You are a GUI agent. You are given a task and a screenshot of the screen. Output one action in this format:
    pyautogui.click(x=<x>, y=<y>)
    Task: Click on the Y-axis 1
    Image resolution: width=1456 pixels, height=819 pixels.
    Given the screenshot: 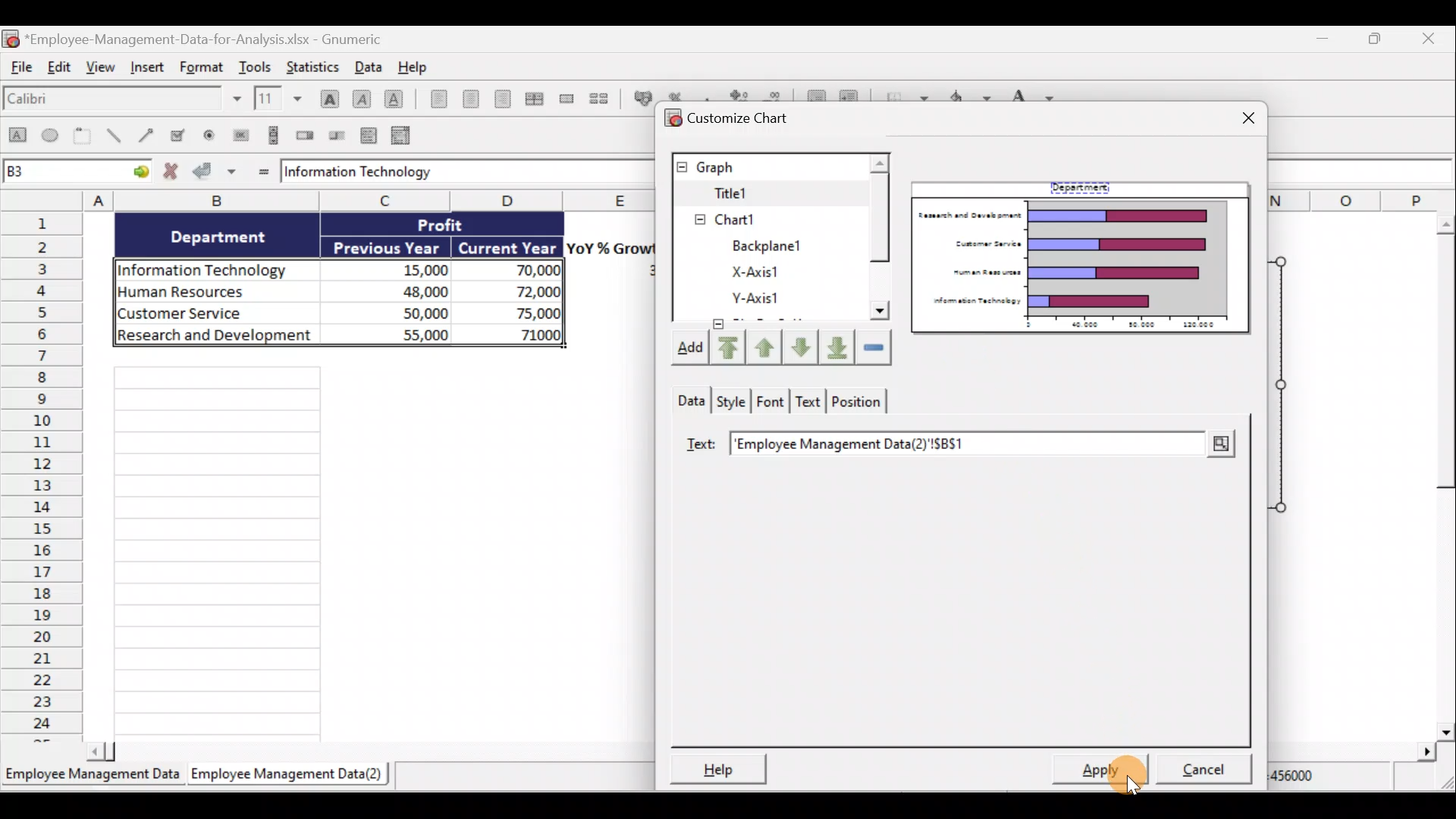 What is the action you would take?
    pyautogui.click(x=768, y=271)
    